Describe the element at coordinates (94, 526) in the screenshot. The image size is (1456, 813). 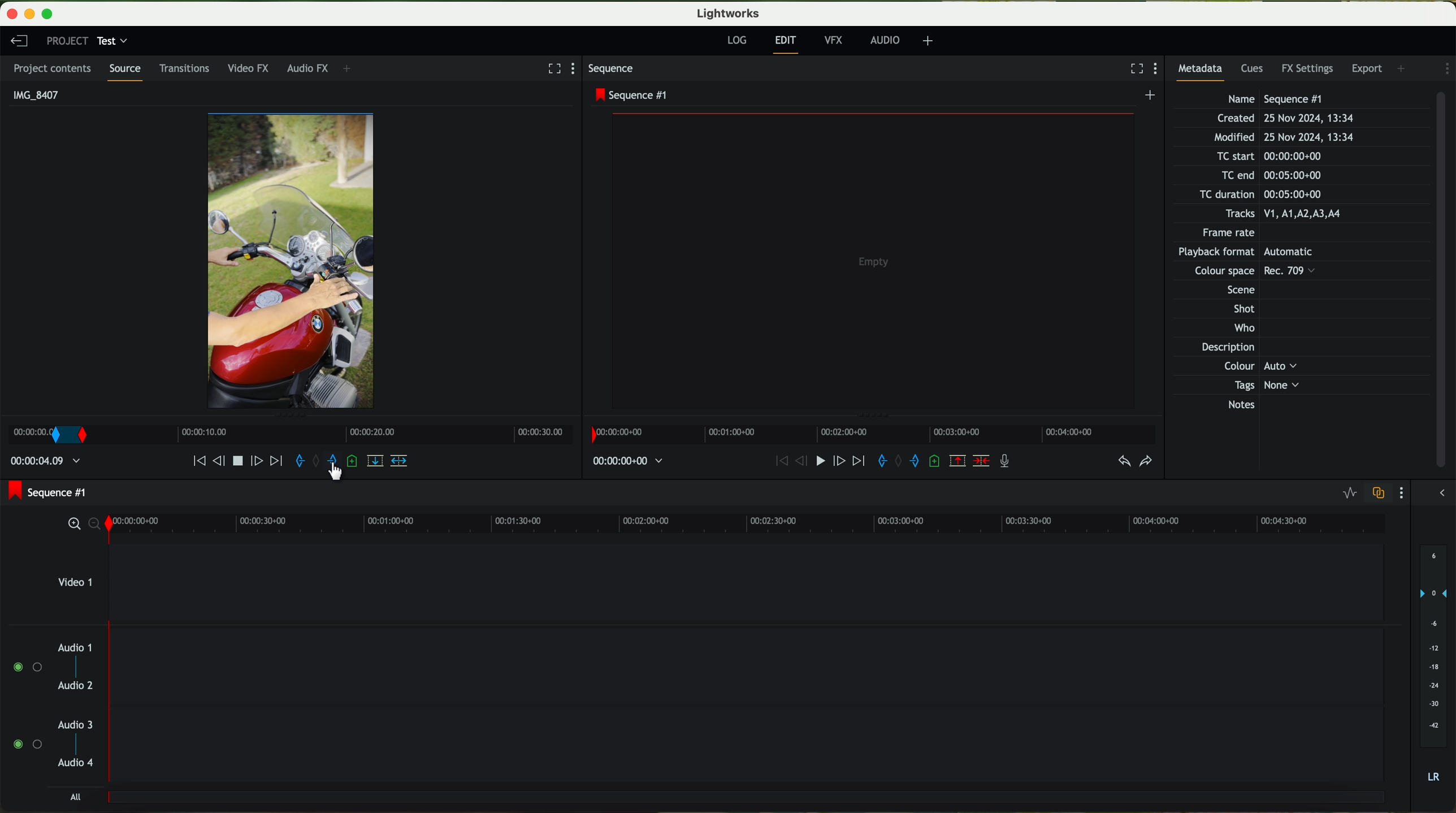
I see `zoom out` at that location.